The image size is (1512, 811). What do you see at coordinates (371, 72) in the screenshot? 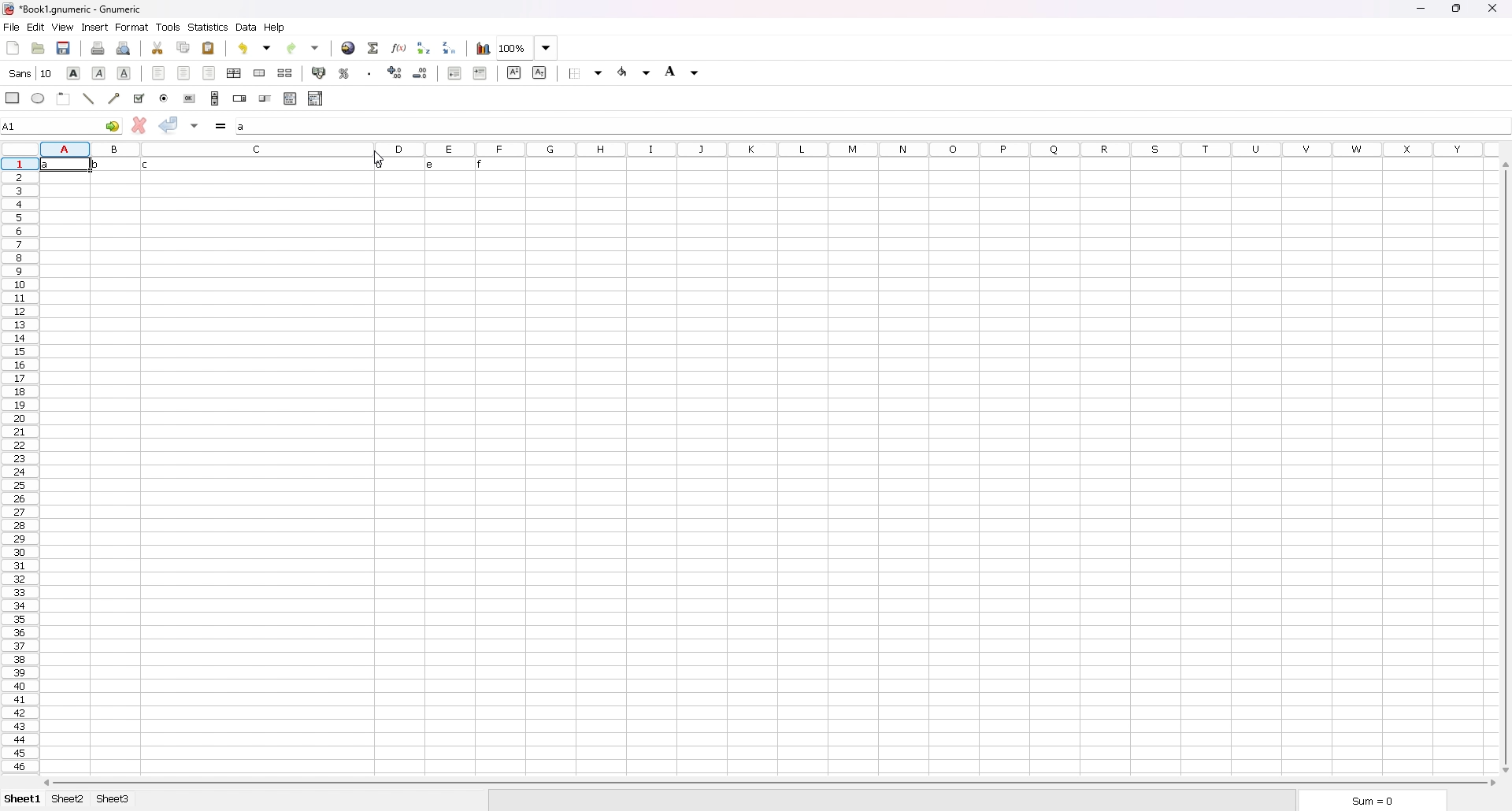
I see `thousands separator` at bounding box center [371, 72].